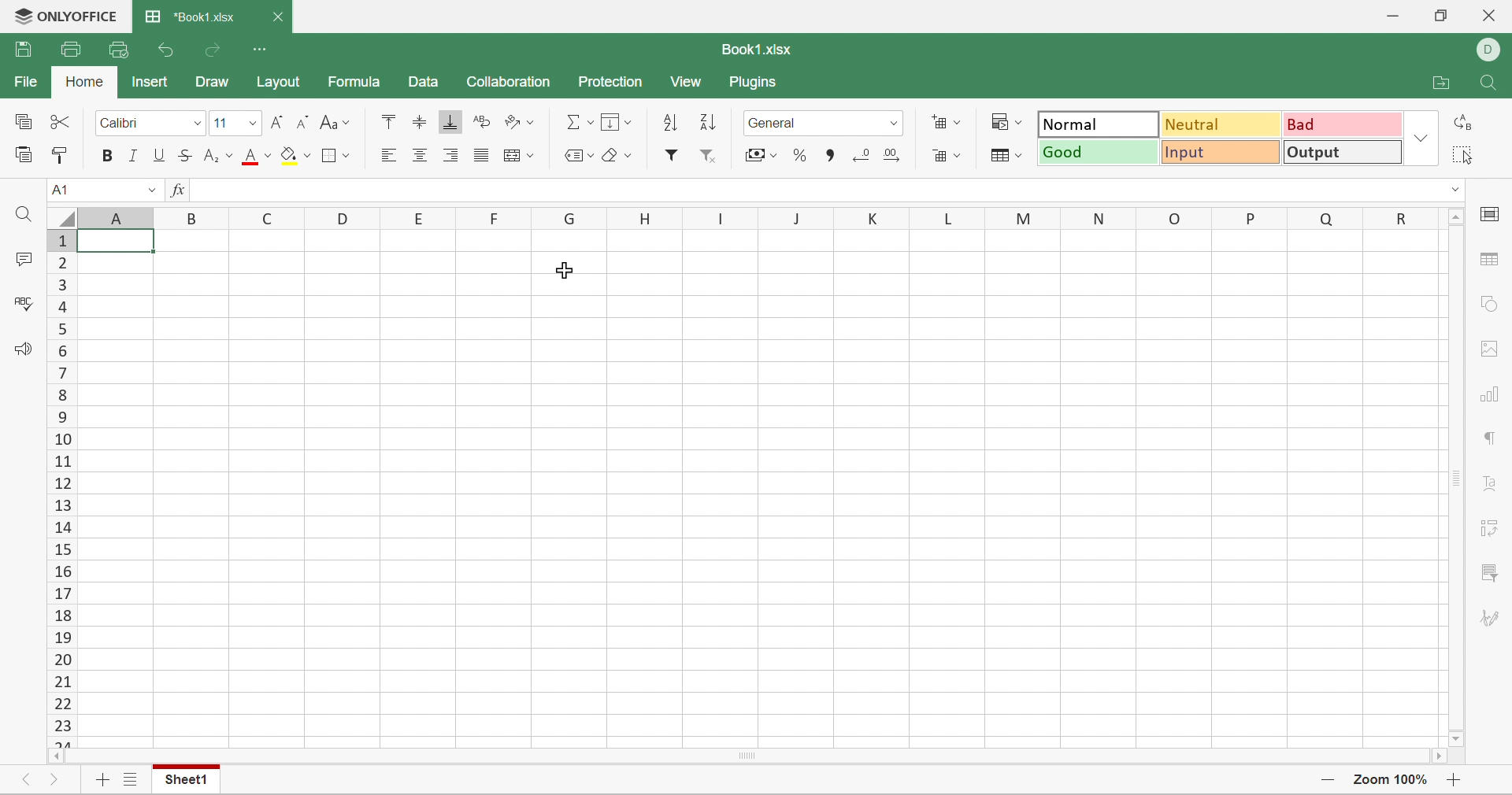  I want to click on 18, so click(62, 615).